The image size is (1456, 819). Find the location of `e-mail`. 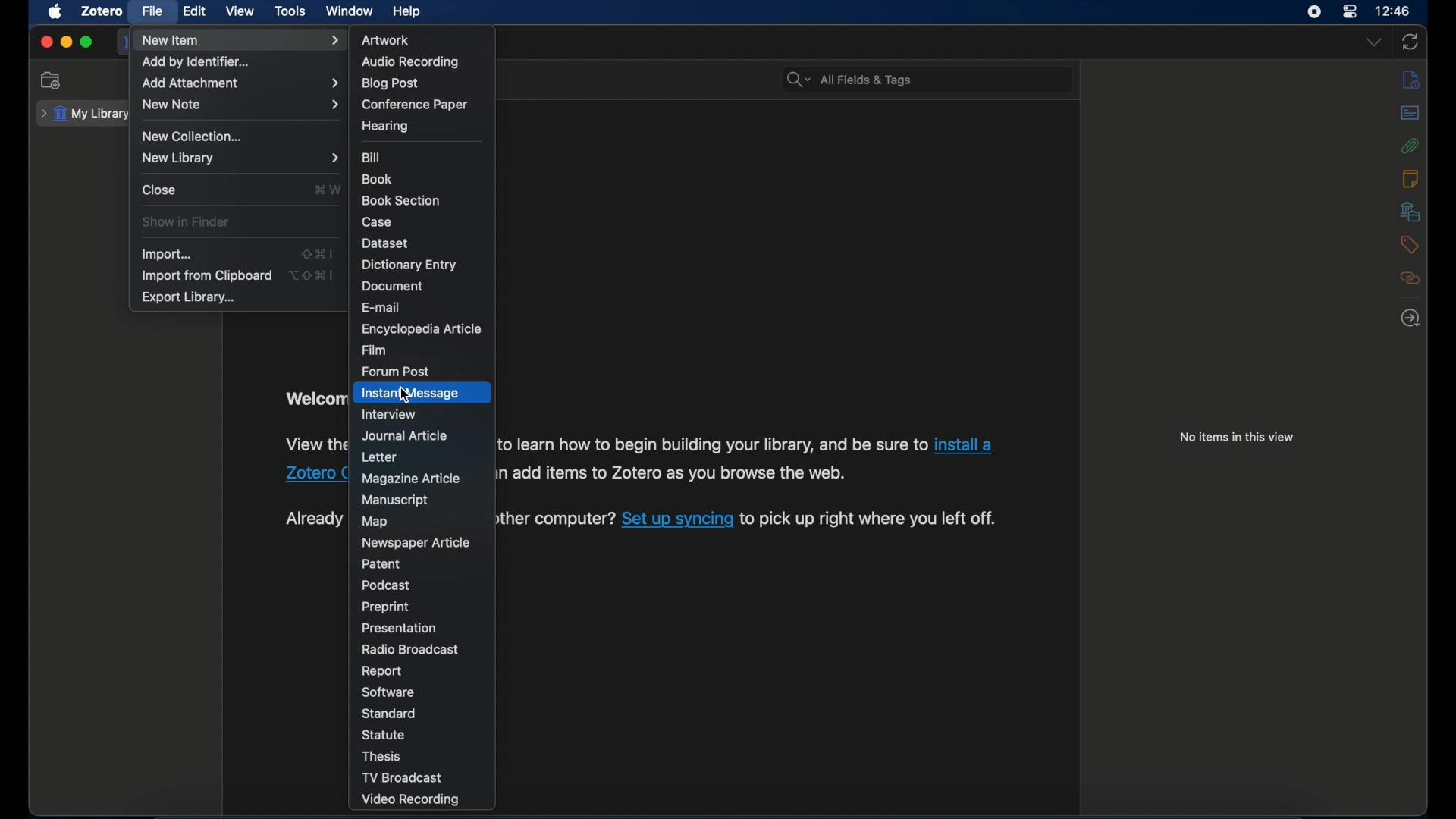

e-mail is located at coordinates (382, 306).